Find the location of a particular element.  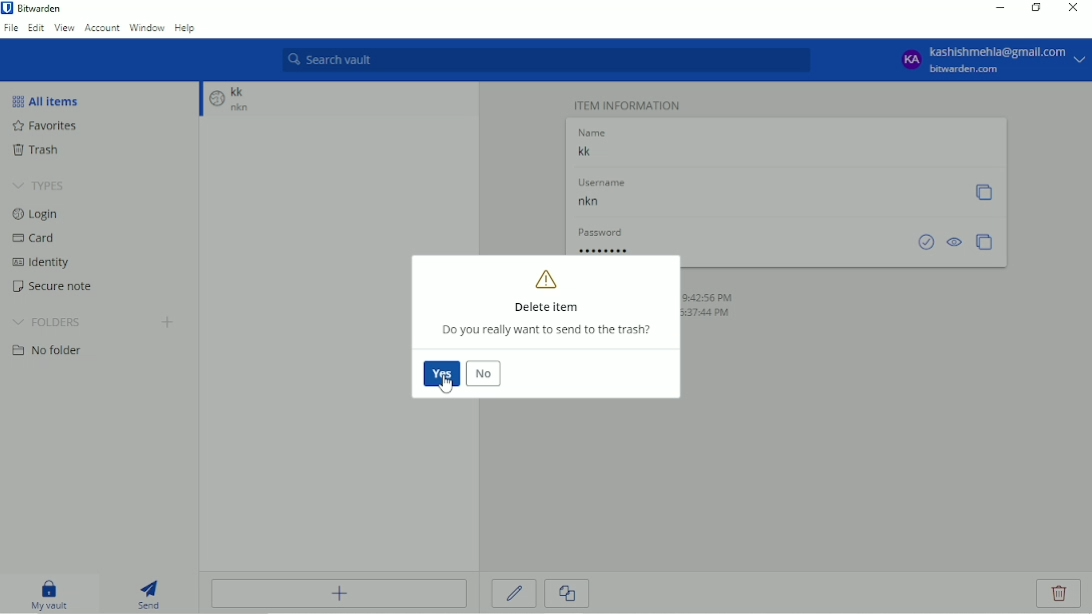

cursor is located at coordinates (449, 384).